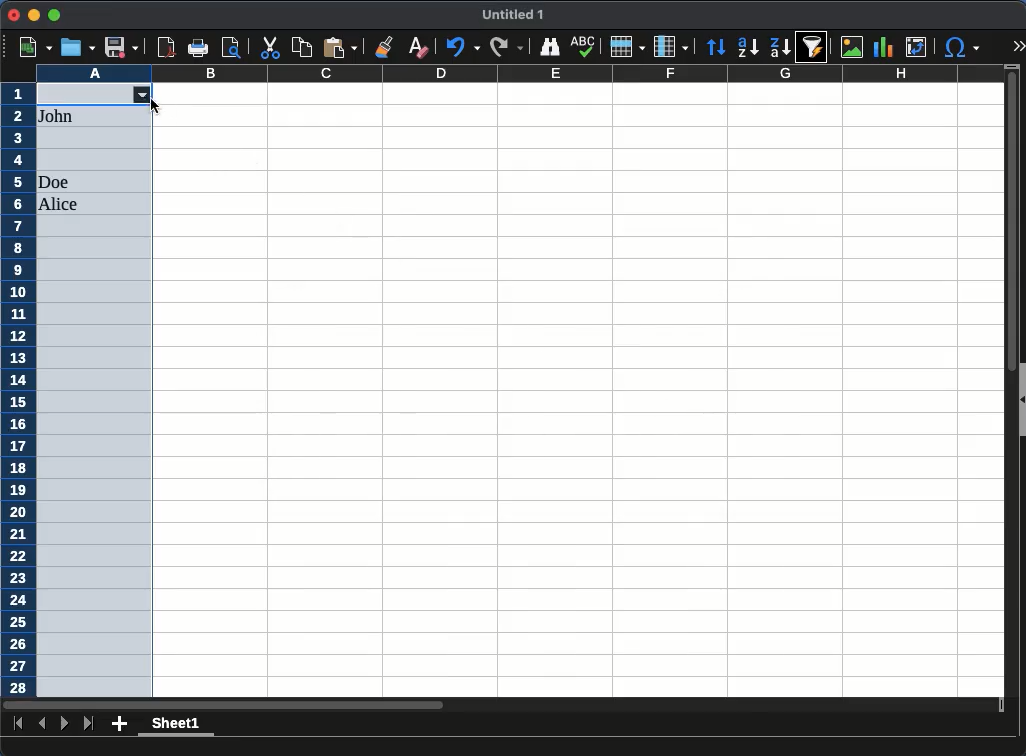 Image resolution: width=1026 pixels, height=756 pixels. Describe the element at coordinates (155, 106) in the screenshot. I see `cursor` at that location.